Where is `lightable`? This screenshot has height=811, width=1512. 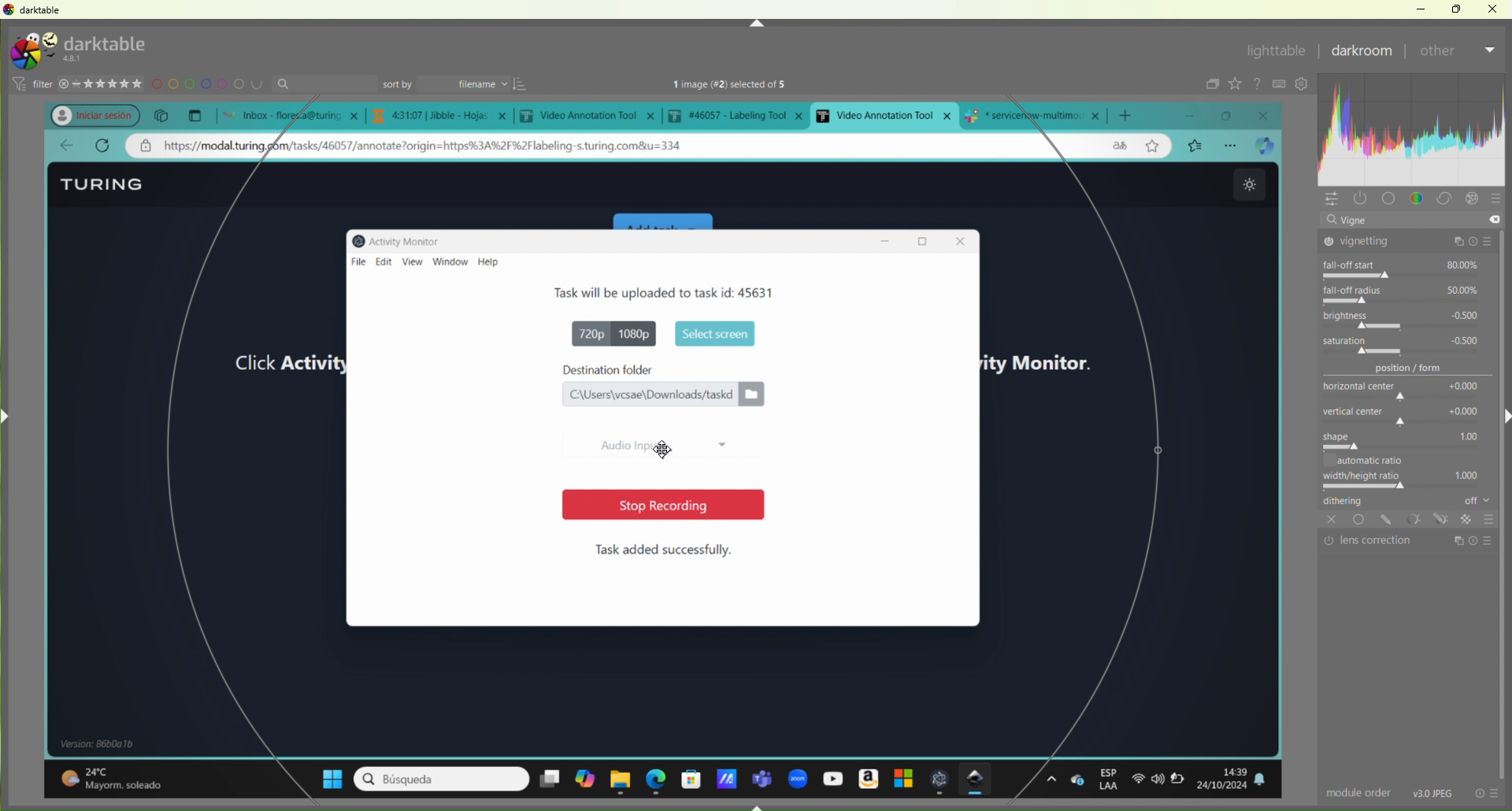 lightable is located at coordinates (1277, 51).